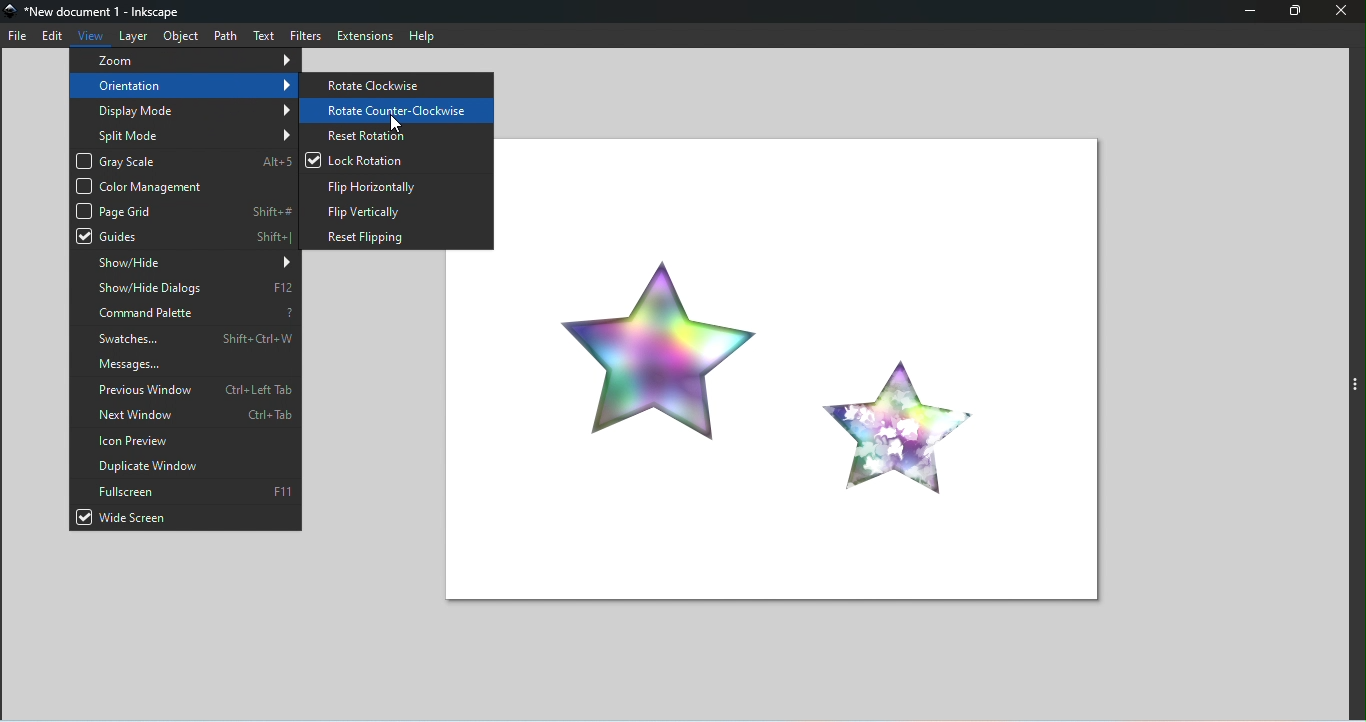 This screenshot has width=1366, height=722. I want to click on Orientation, so click(185, 85).